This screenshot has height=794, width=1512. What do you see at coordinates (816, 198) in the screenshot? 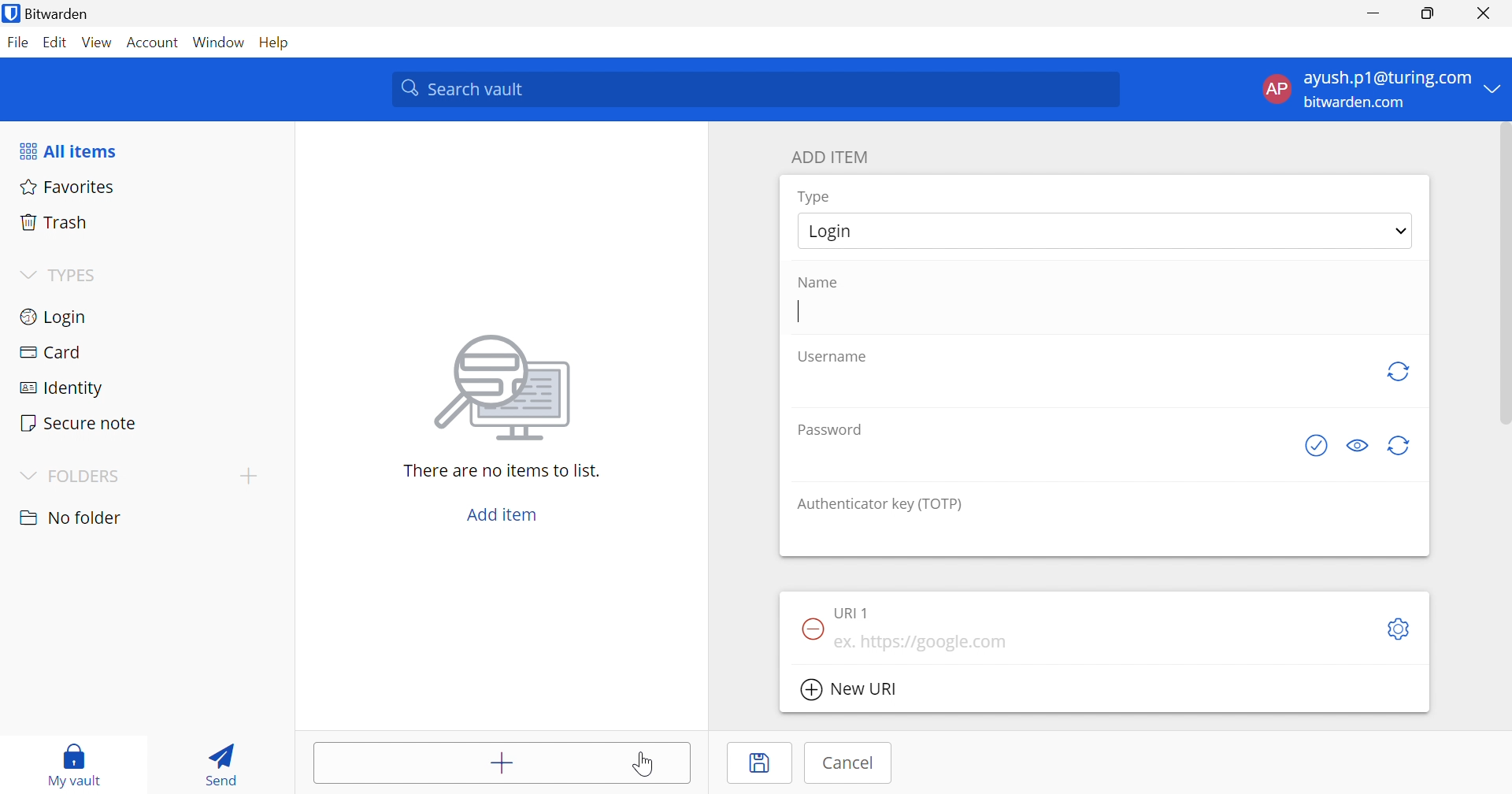
I see `Type` at bounding box center [816, 198].